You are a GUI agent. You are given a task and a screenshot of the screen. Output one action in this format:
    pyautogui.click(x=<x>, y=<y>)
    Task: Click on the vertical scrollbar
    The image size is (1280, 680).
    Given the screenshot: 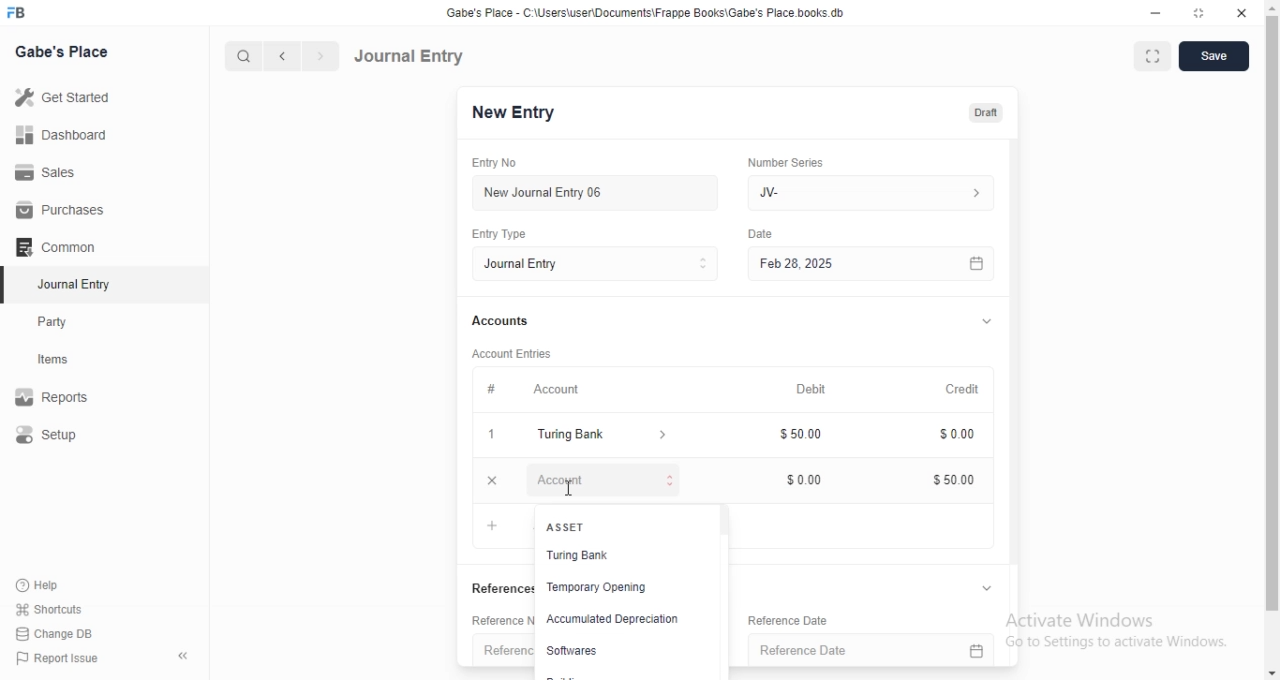 What is the action you would take?
    pyautogui.click(x=722, y=522)
    